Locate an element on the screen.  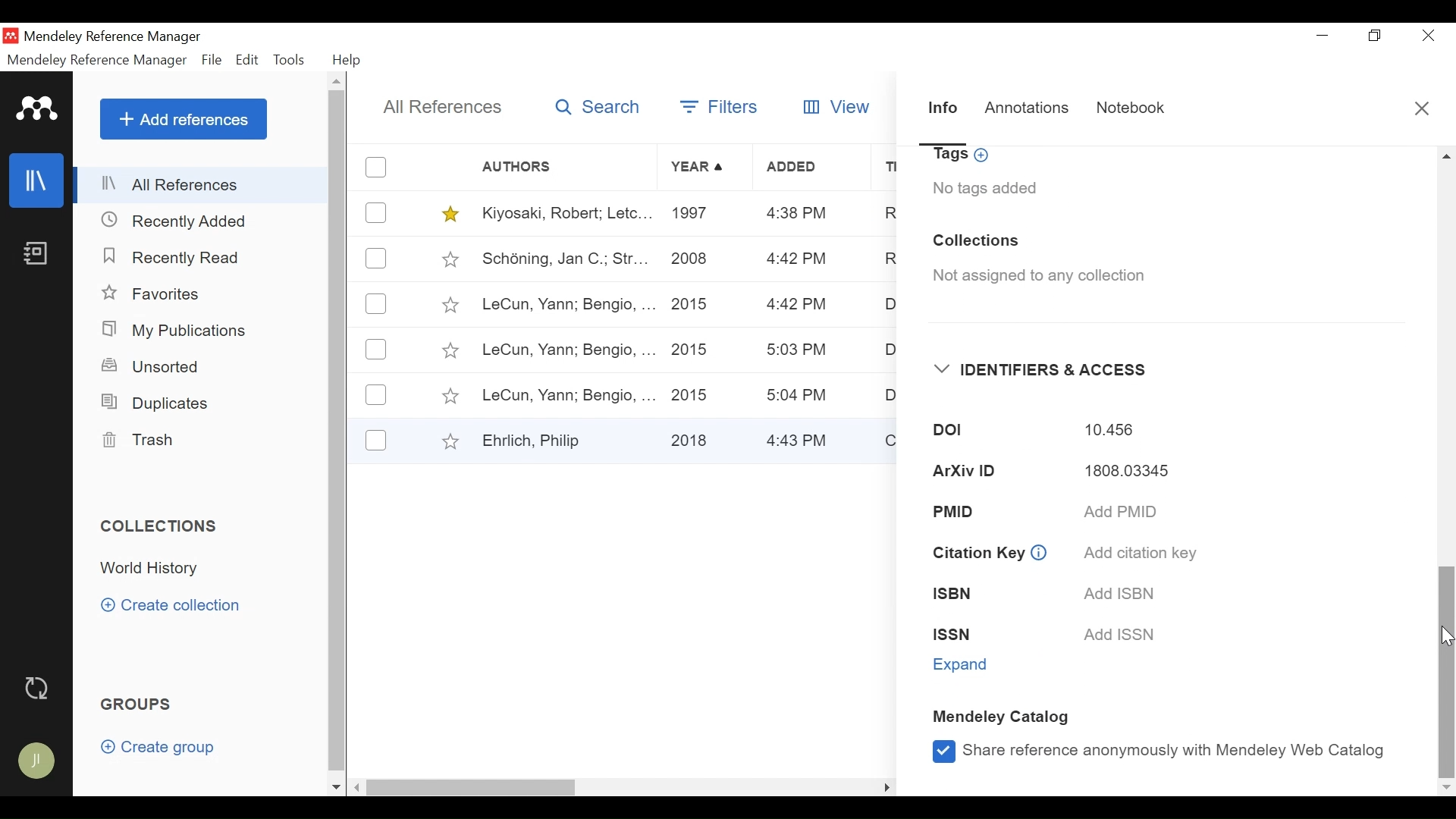
Unsorted is located at coordinates (151, 368).